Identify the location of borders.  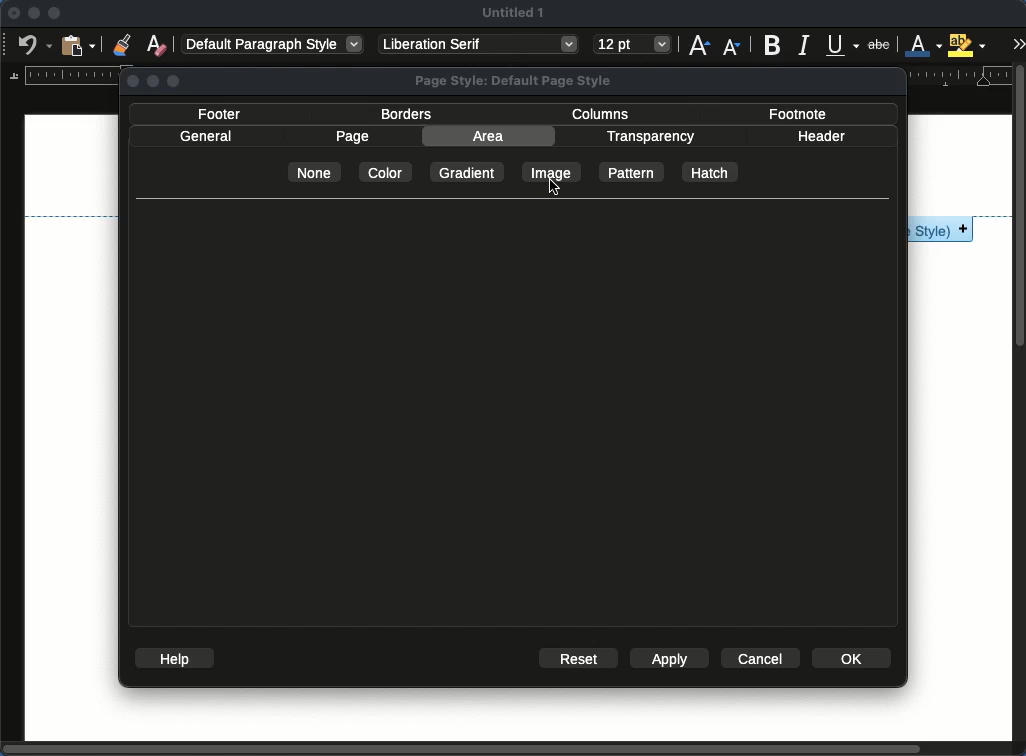
(407, 115).